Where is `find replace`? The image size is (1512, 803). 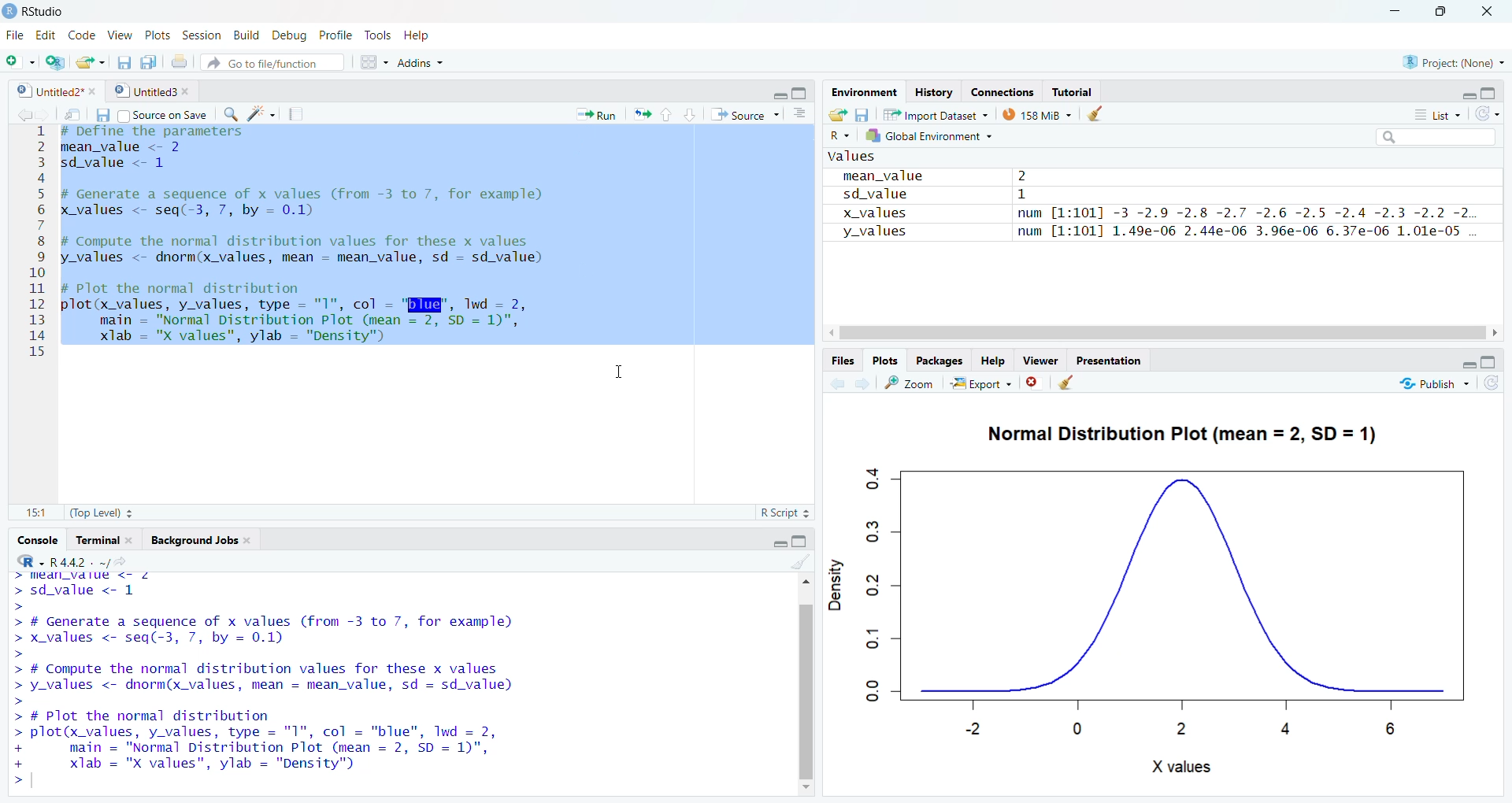
find replace is located at coordinates (229, 113).